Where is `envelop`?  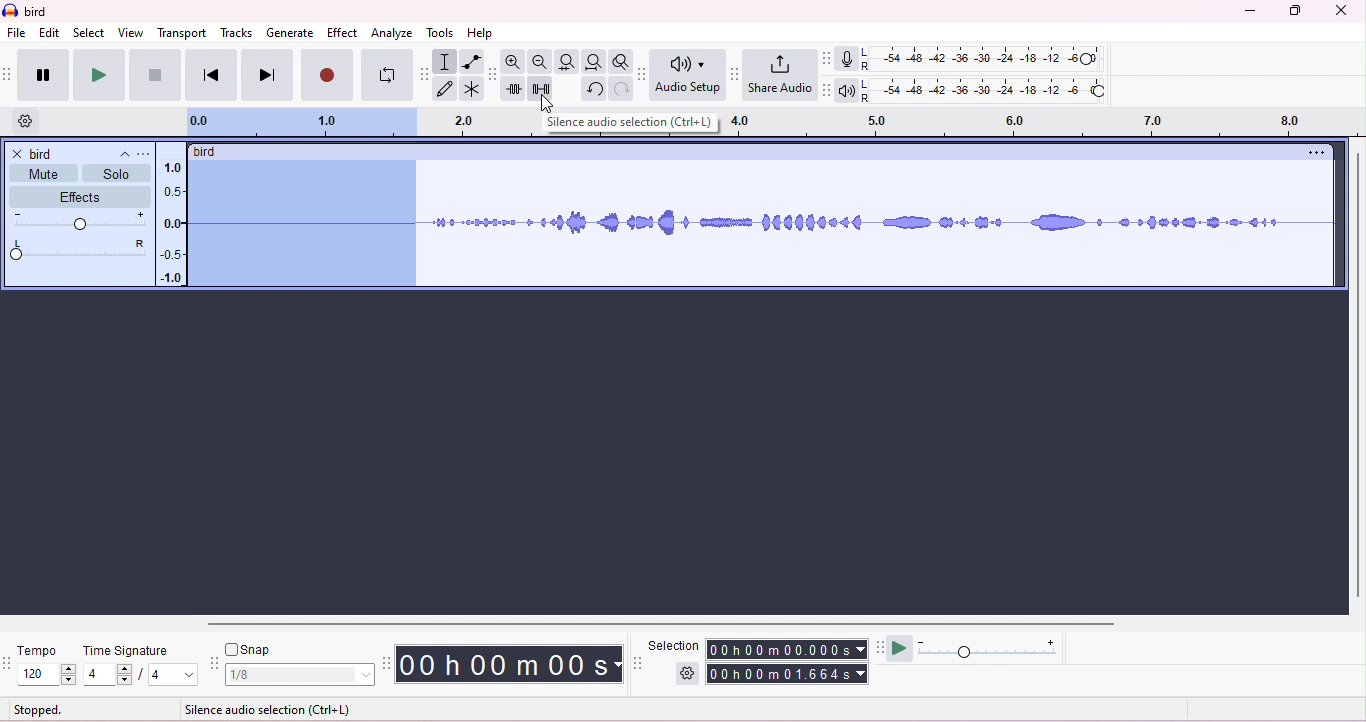
envelop is located at coordinates (472, 61).